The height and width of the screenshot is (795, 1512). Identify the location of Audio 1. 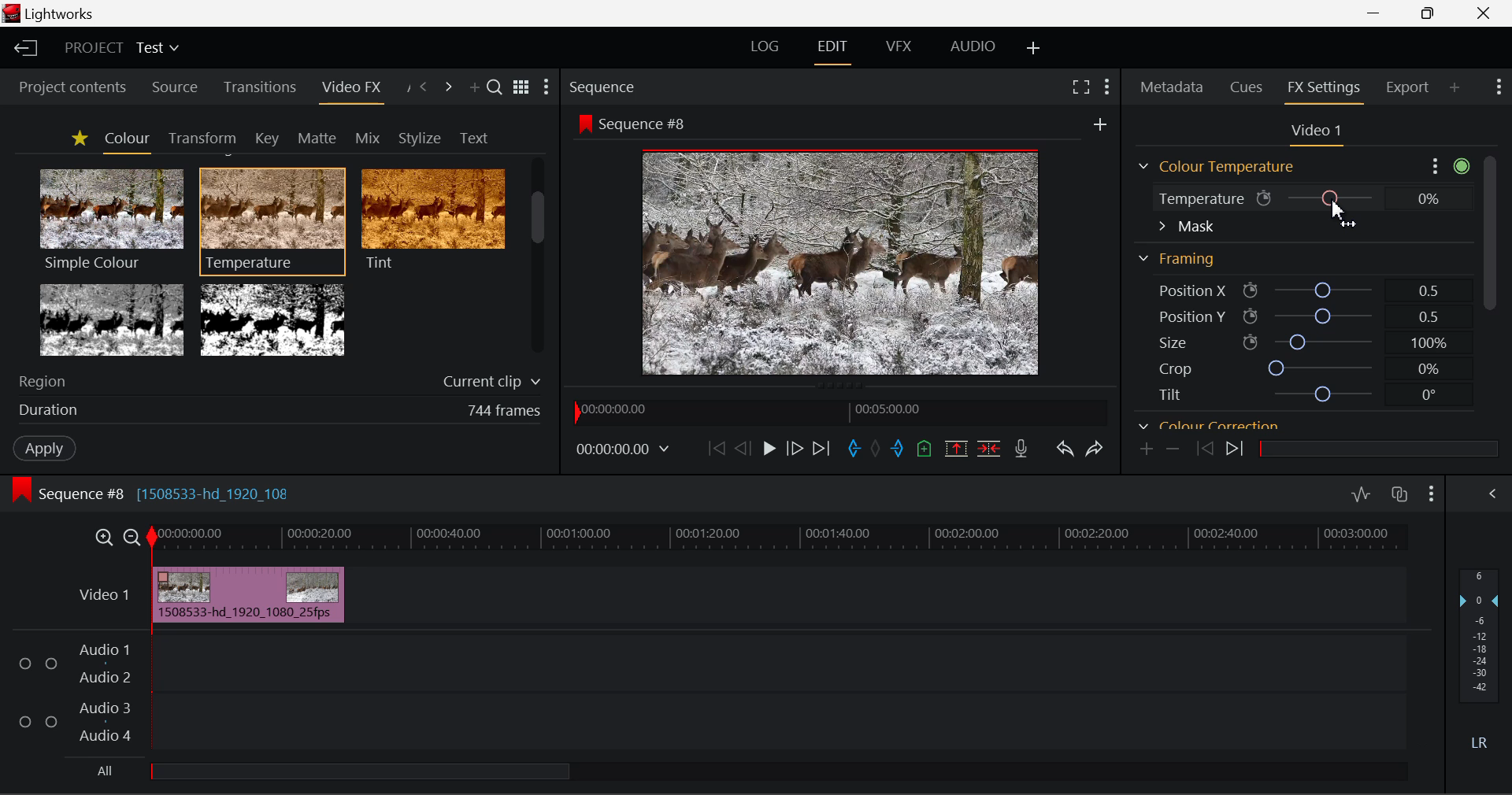
(102, 651).